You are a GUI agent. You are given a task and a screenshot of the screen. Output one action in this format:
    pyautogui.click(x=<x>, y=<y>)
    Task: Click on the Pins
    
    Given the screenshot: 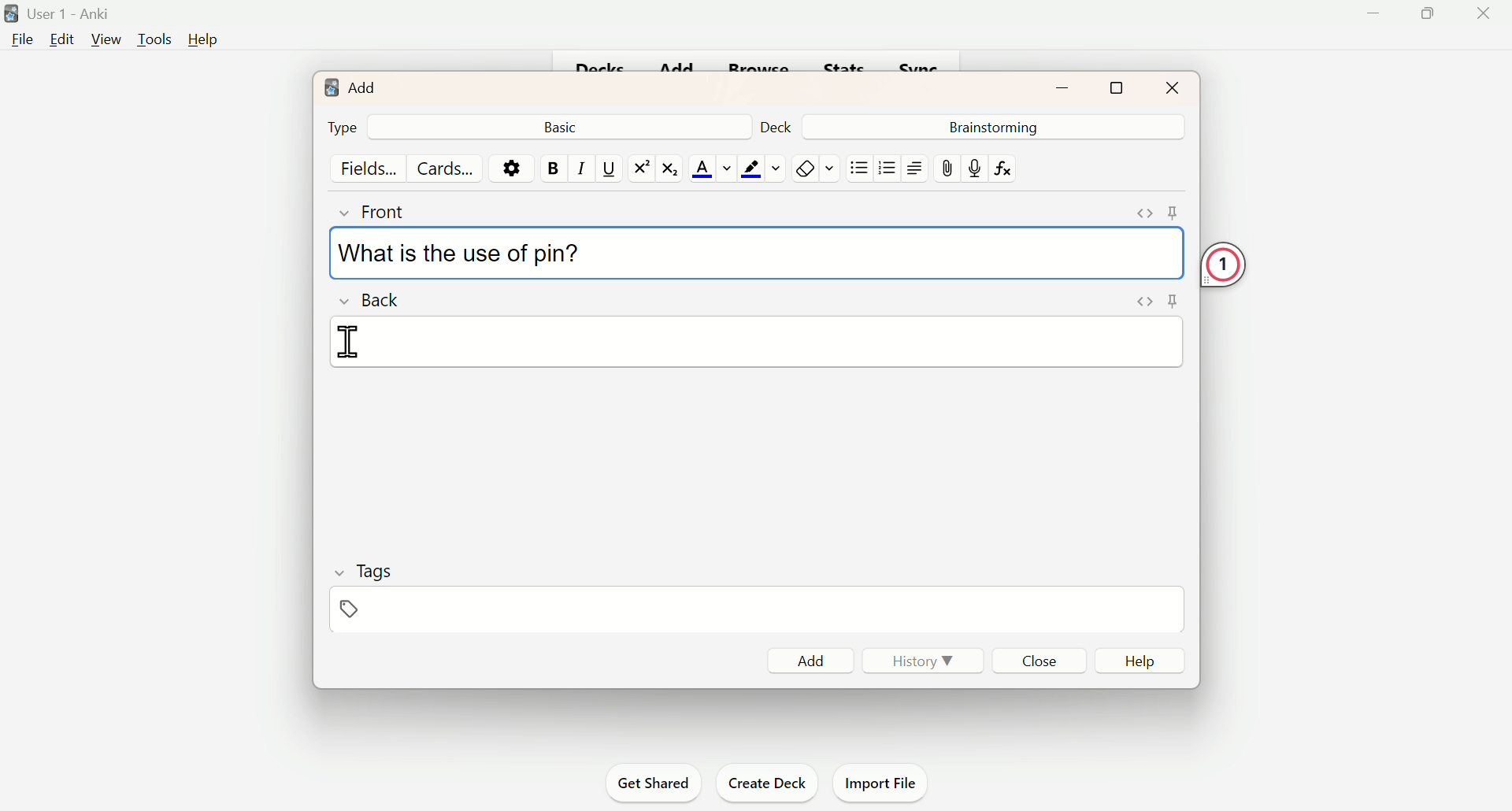 What is the action you would take?
    pyautogui.click(x=1152, y=302)
    